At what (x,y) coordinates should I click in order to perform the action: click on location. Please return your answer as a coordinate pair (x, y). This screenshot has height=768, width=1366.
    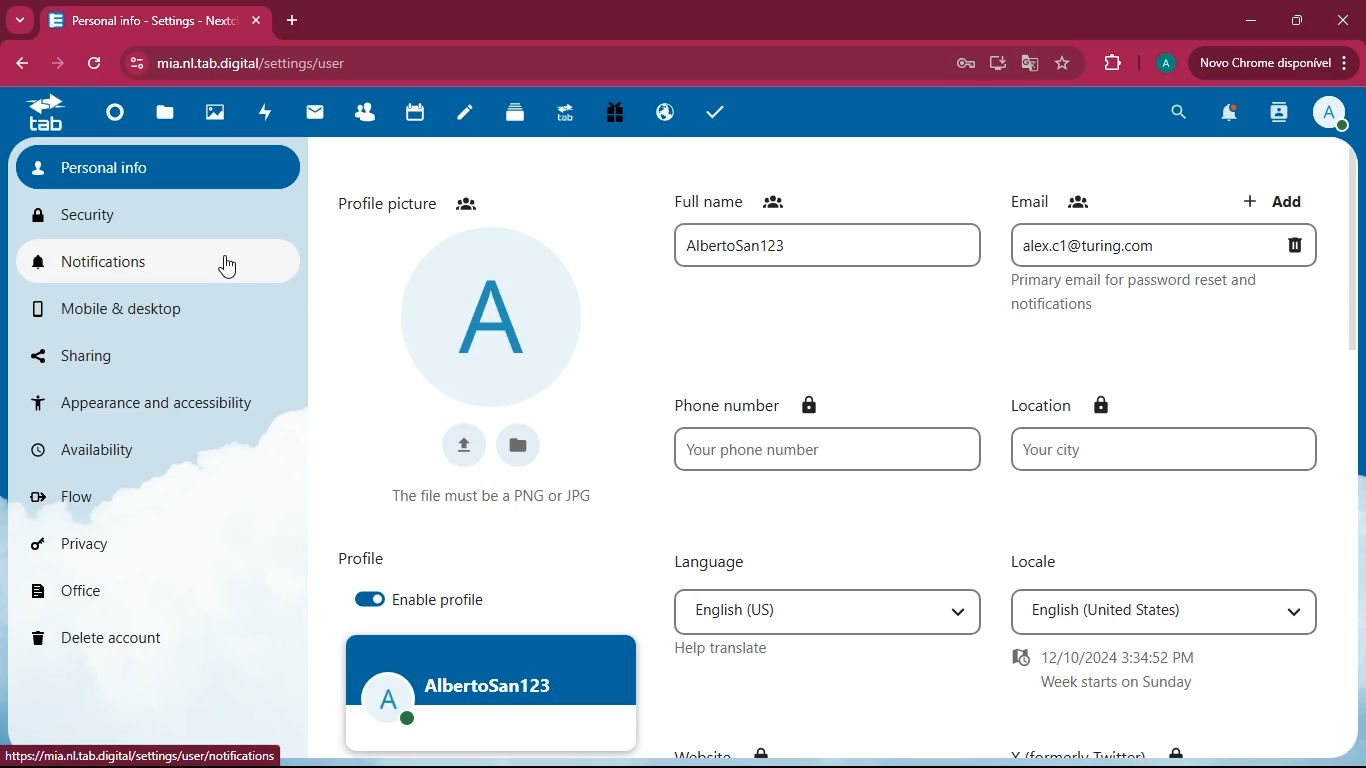
    Looking at the image, I should click on (1071, 405).